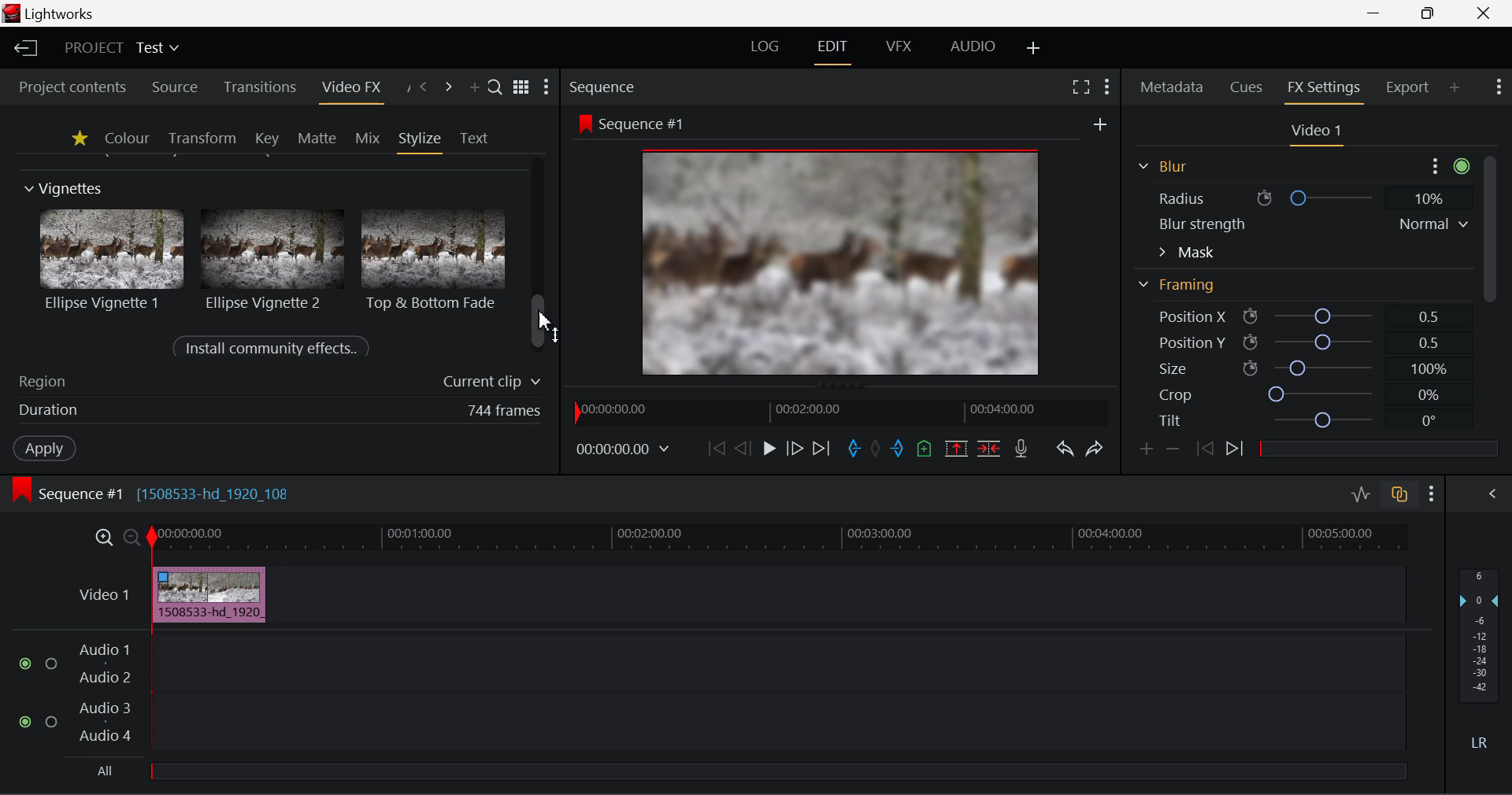 The image size is (1512, 795). Describe the element at coordinates (258, 88) in the screenshot. I see `Transitions` at that location.